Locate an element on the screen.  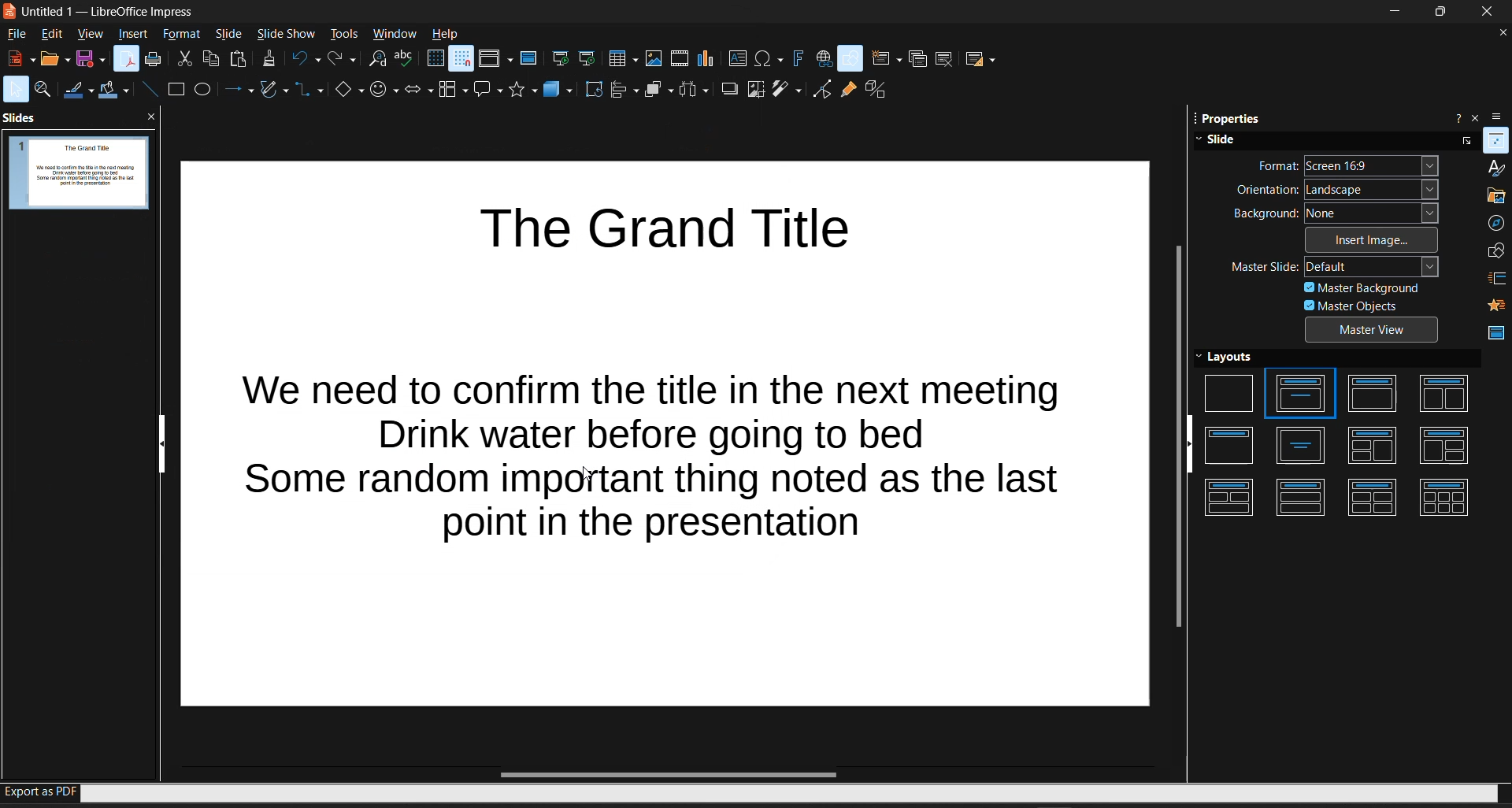
Untitled 1 - LibreOffice Impress is located at coordinates (105, 12).